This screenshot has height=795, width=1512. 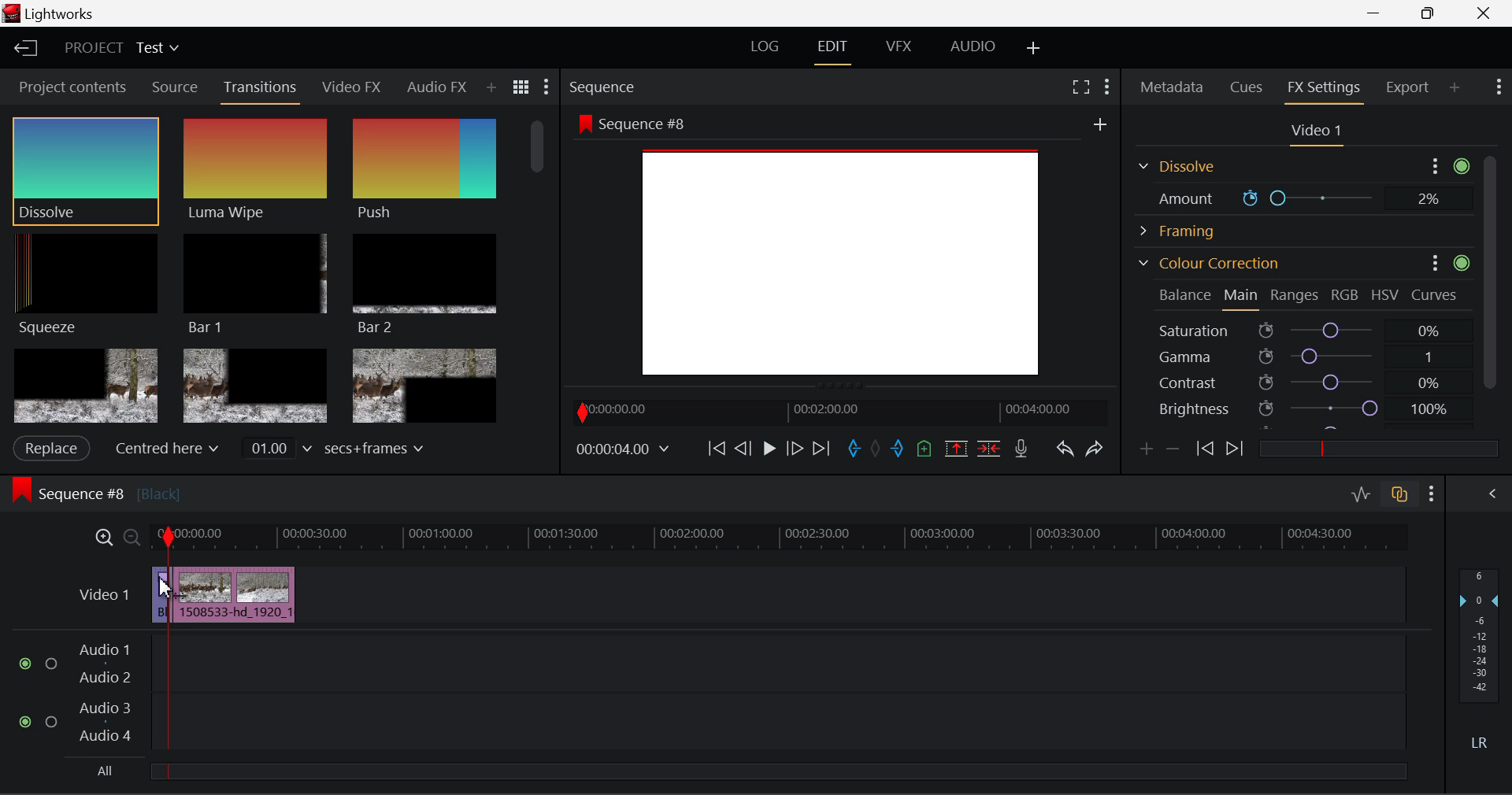 I want to click on Project Timeline, so click(x=780, y=538).